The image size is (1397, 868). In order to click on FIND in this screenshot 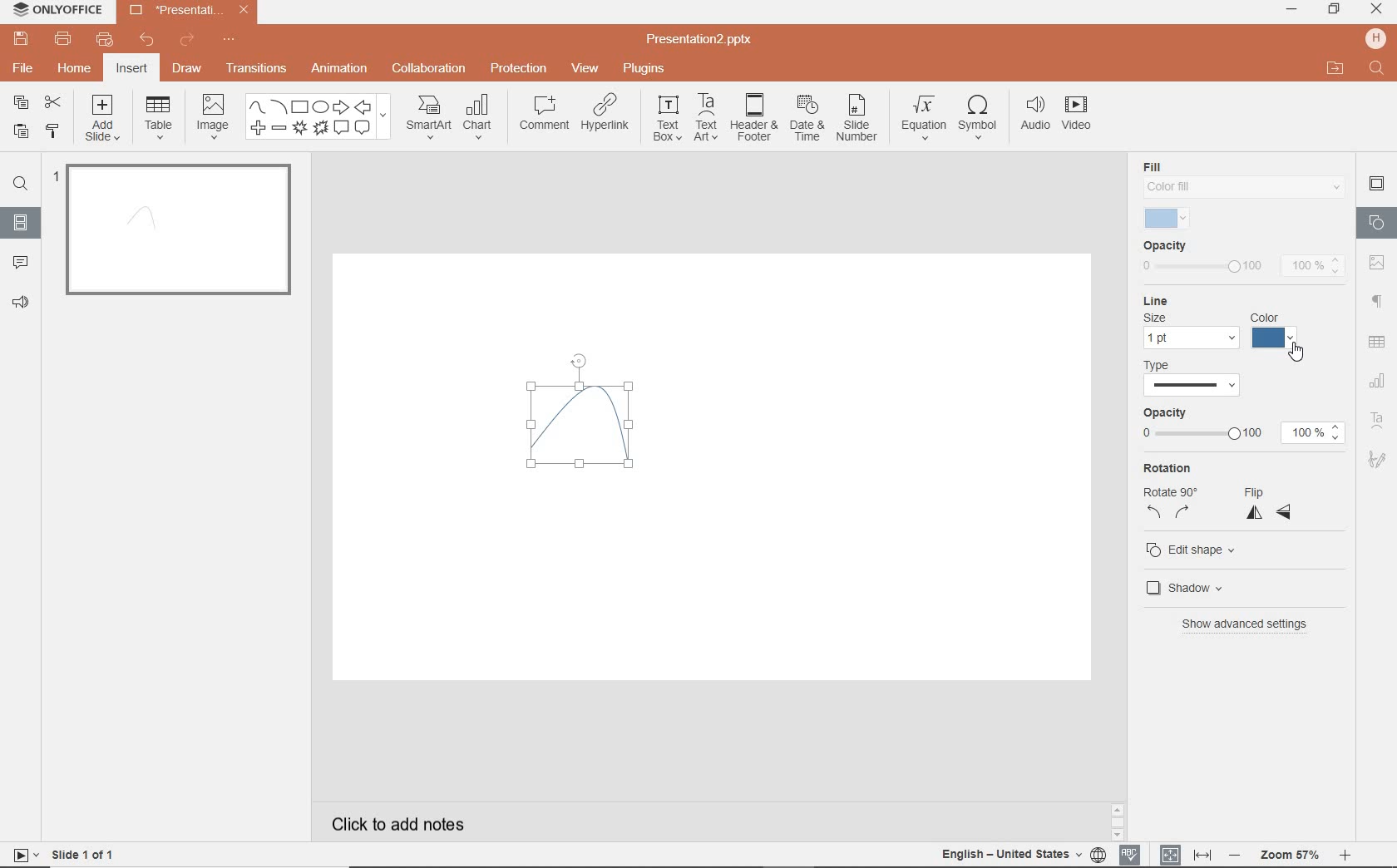, I will do `click(1376, 69)`.